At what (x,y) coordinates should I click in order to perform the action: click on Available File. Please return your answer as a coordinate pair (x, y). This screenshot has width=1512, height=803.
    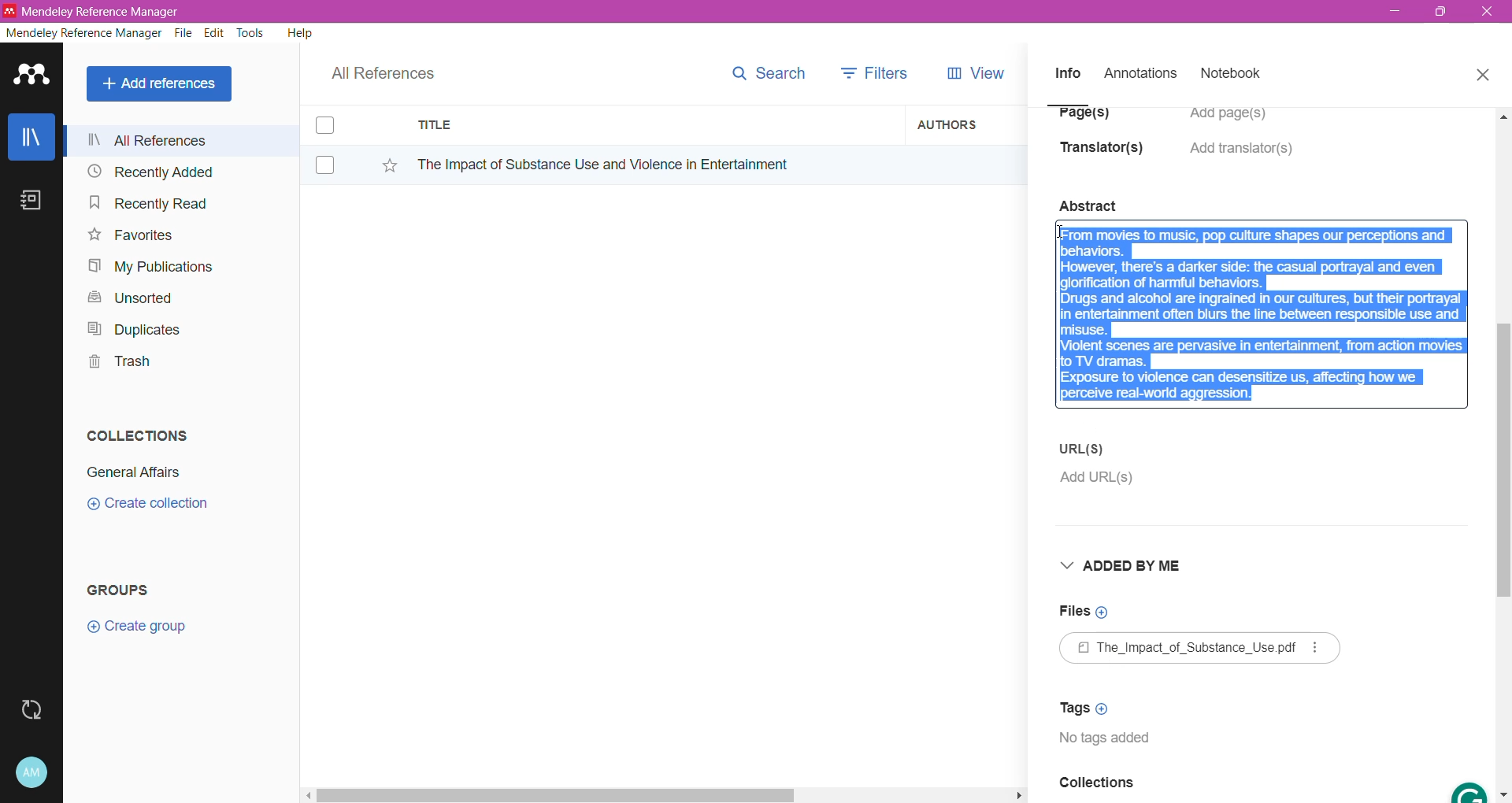
    Looking at the image, I should click on (1203, 649).